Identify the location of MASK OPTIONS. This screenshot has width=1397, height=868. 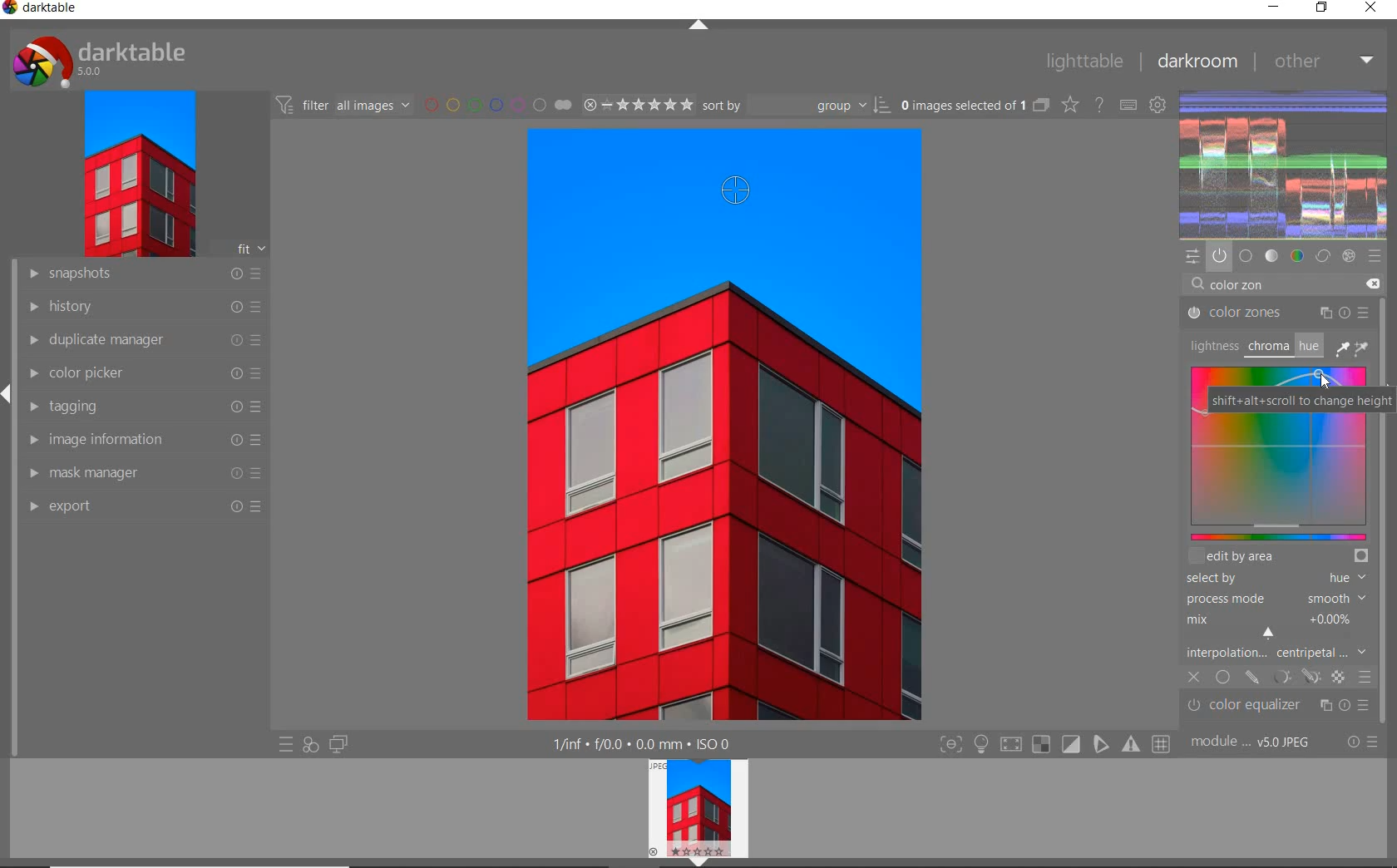
(1294, 677).